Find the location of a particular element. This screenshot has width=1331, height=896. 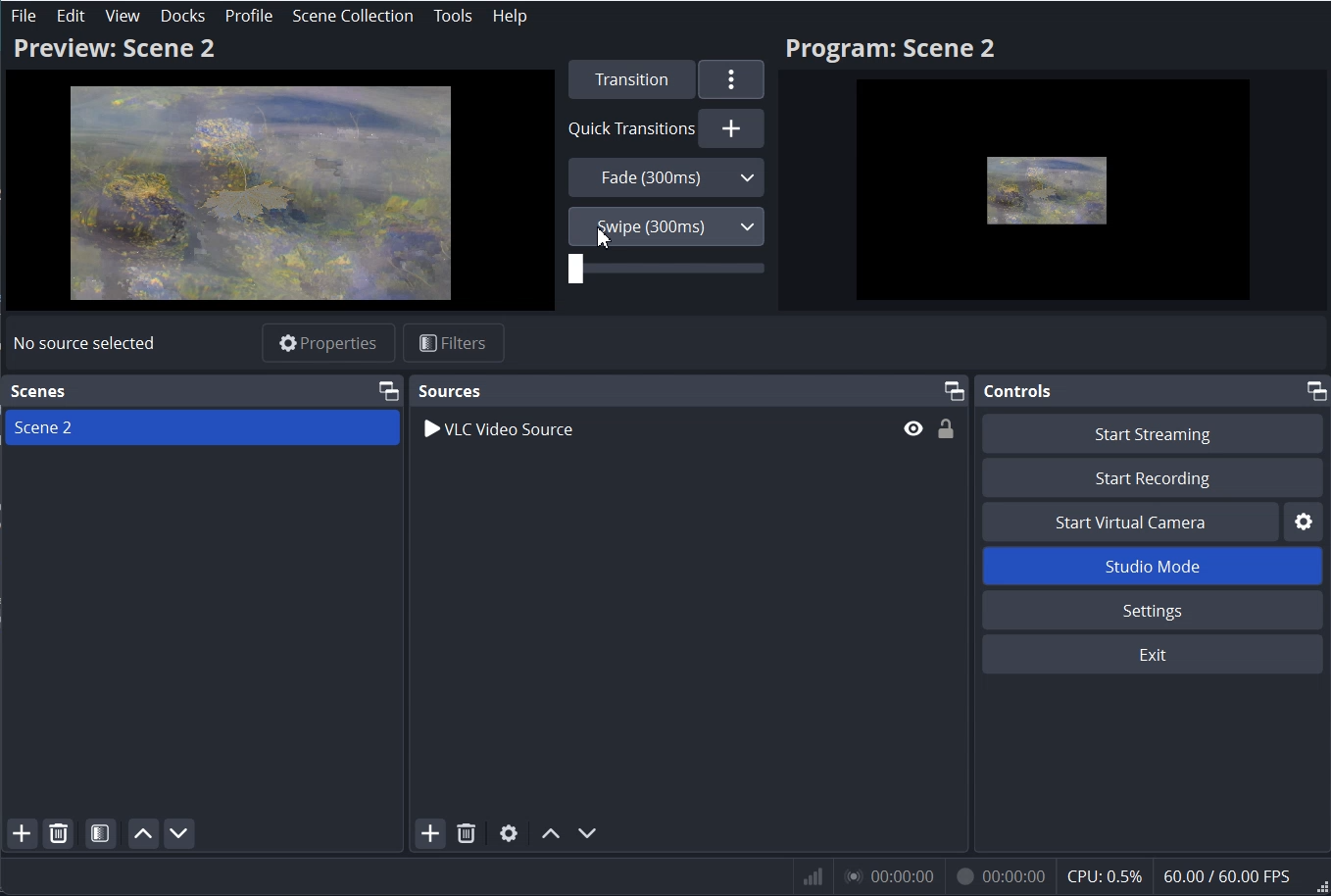

Scene Collection is located at coordinates (352, 16).